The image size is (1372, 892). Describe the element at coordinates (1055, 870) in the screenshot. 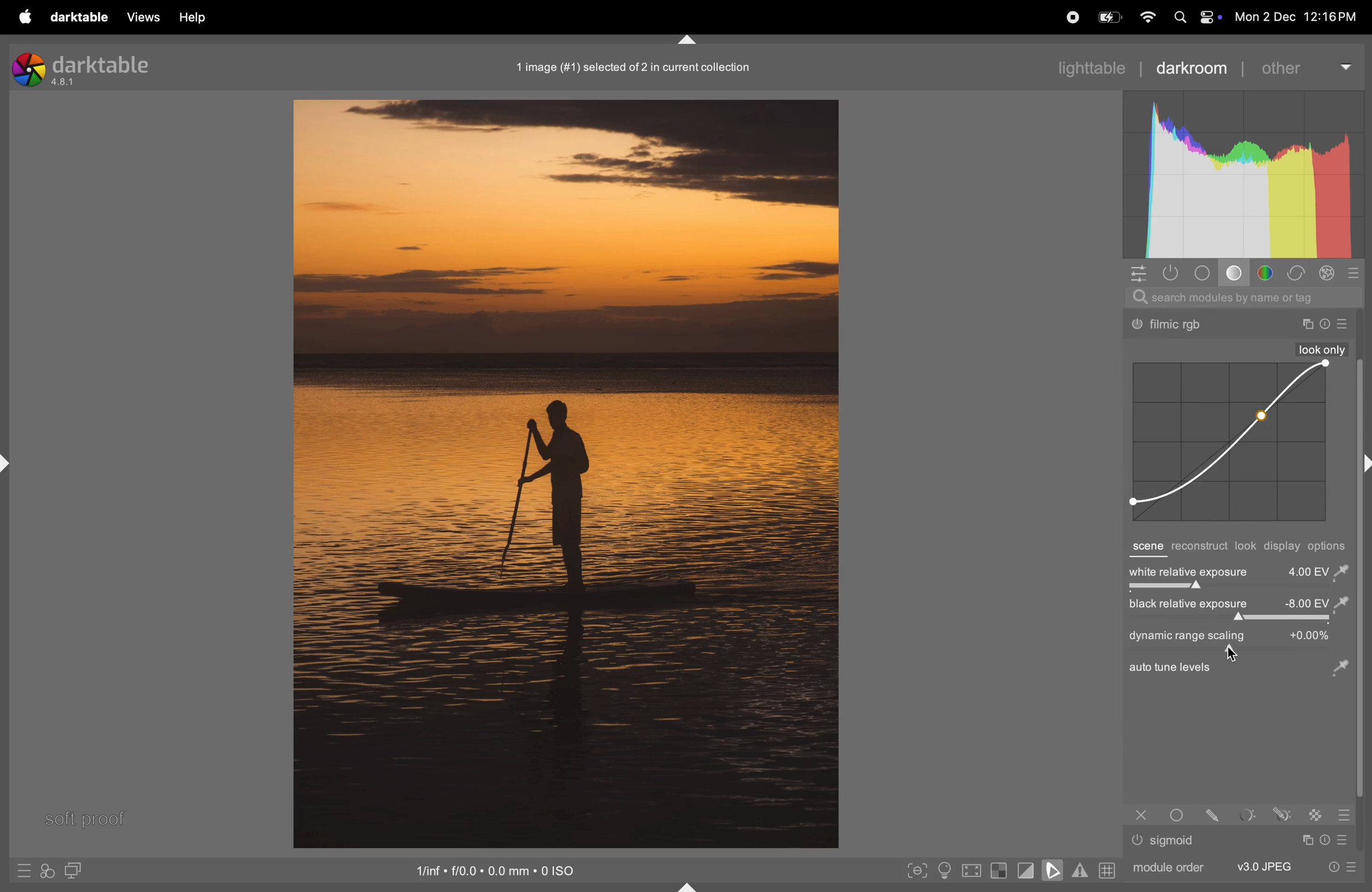

I see `soft proofing` at that location.